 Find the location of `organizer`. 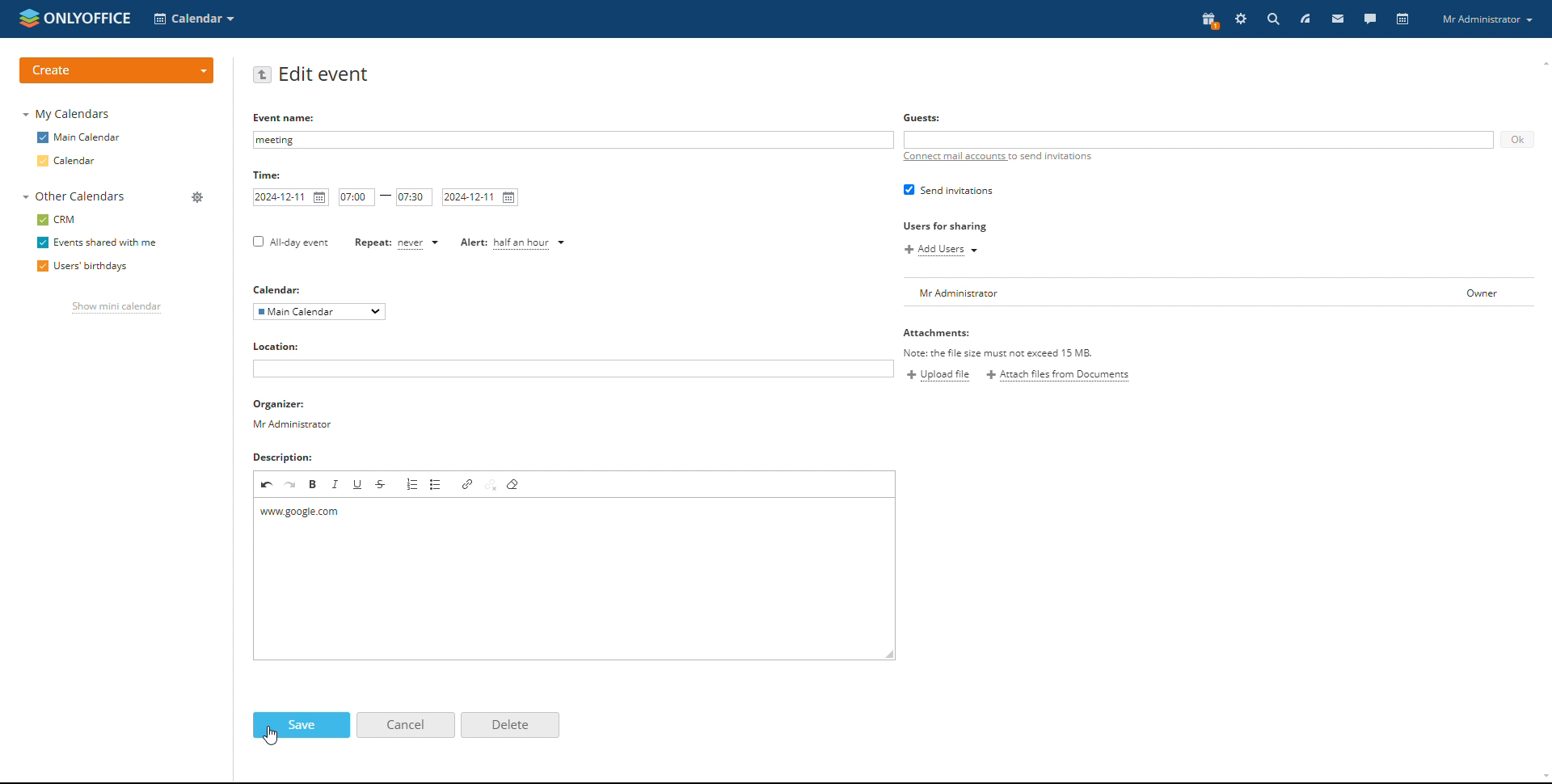

organizer is located at coordinates (296, 415).